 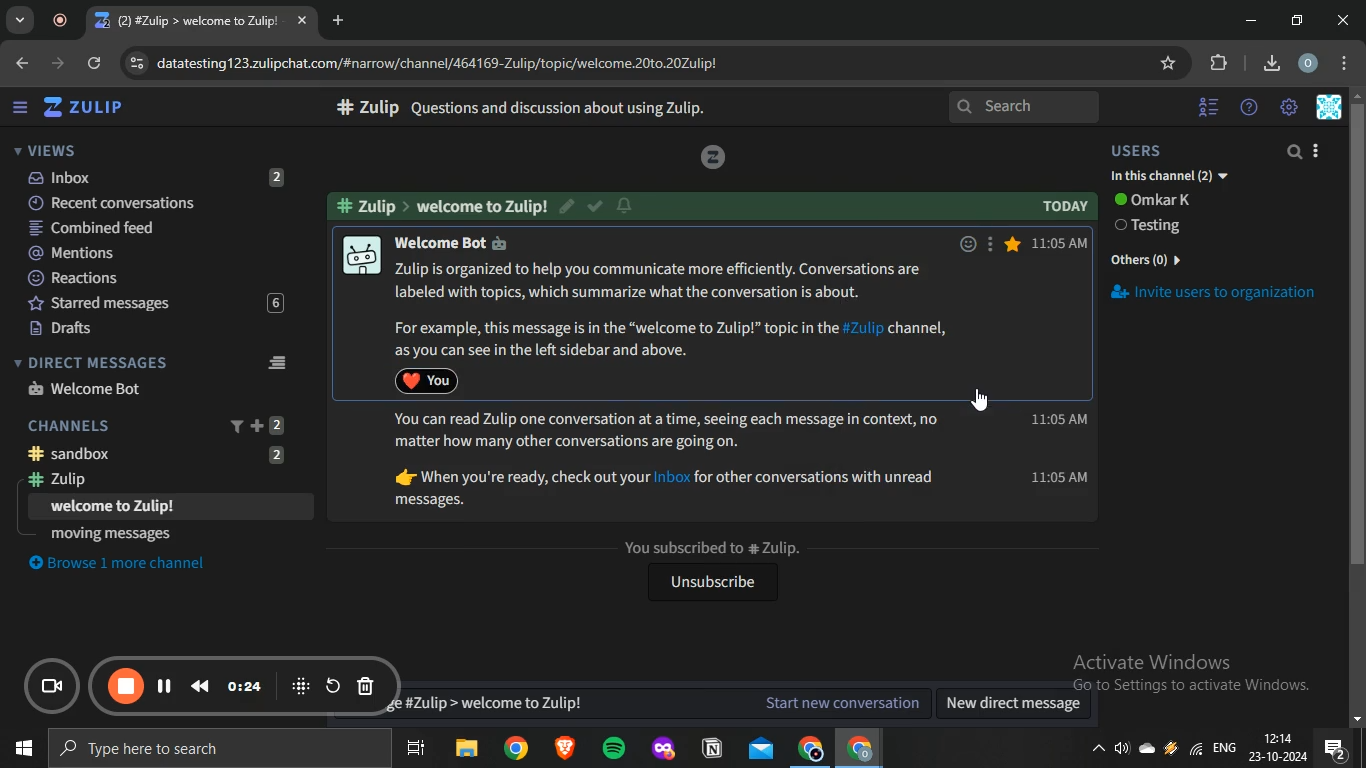 I want to click on search tab, so click(x=20, y=21).